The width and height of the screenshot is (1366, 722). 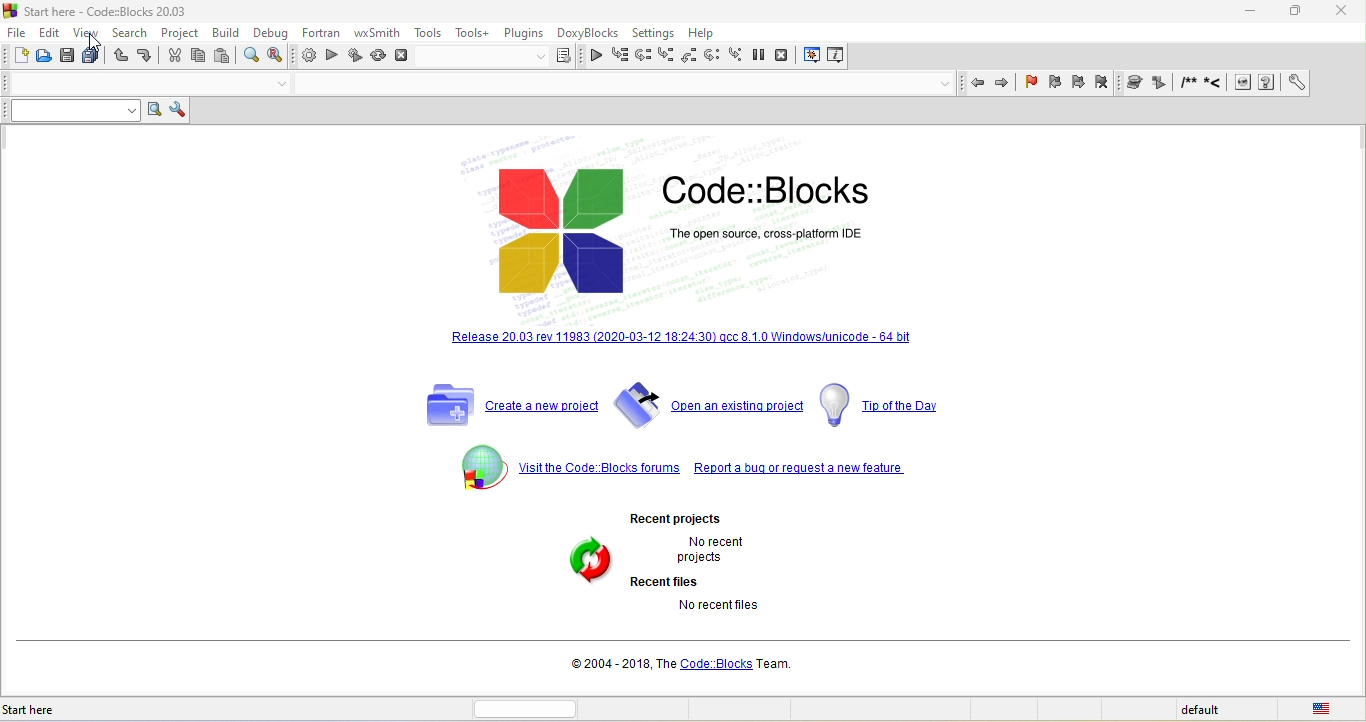 What do you see at coordinates (126, 84) in the screenshot?
I see `open tab ` at bounding box center [126, 84].